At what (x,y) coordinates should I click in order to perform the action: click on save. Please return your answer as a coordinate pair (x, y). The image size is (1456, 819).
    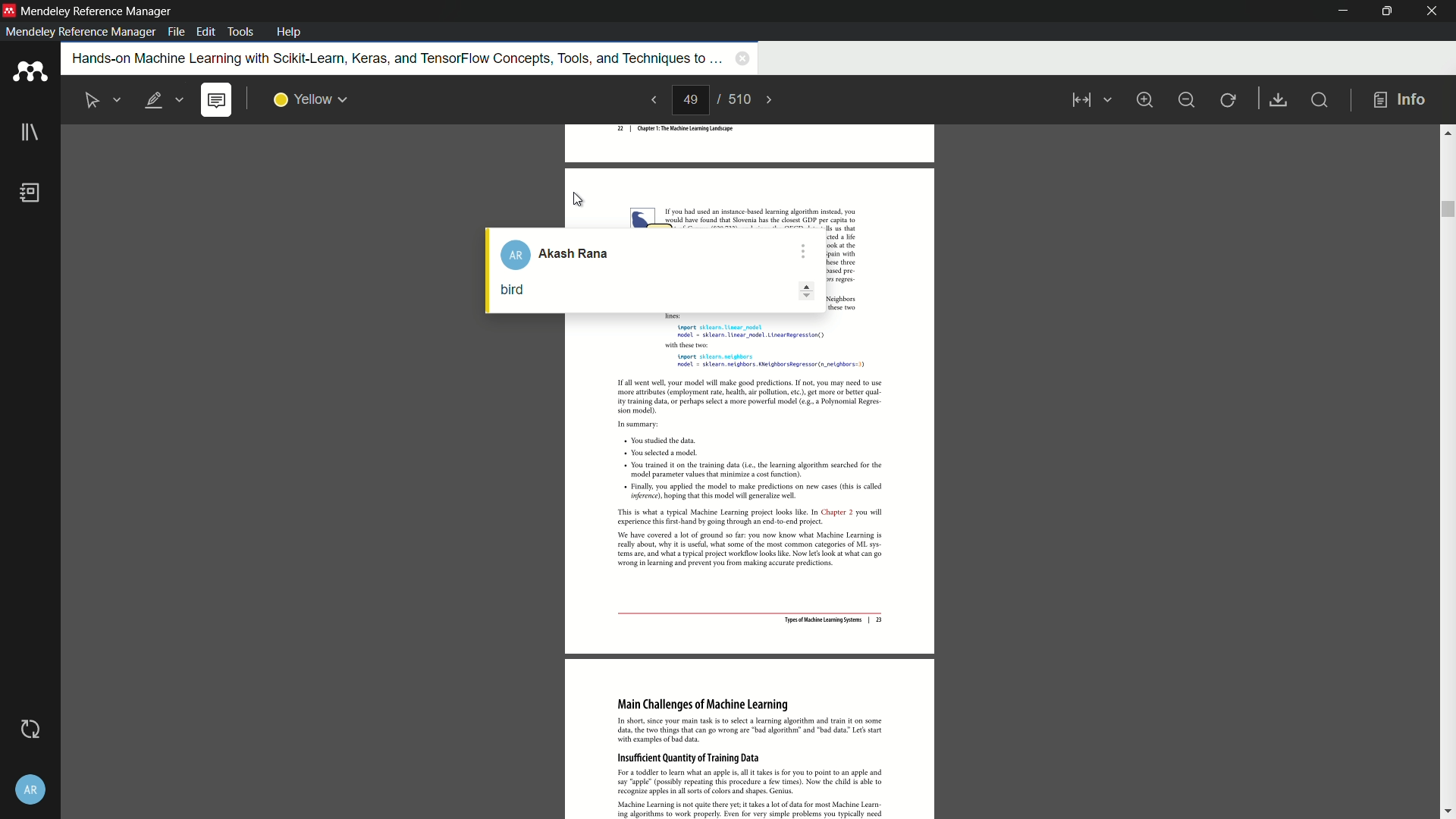
    Looking at the image, I should click on (1280, 100).